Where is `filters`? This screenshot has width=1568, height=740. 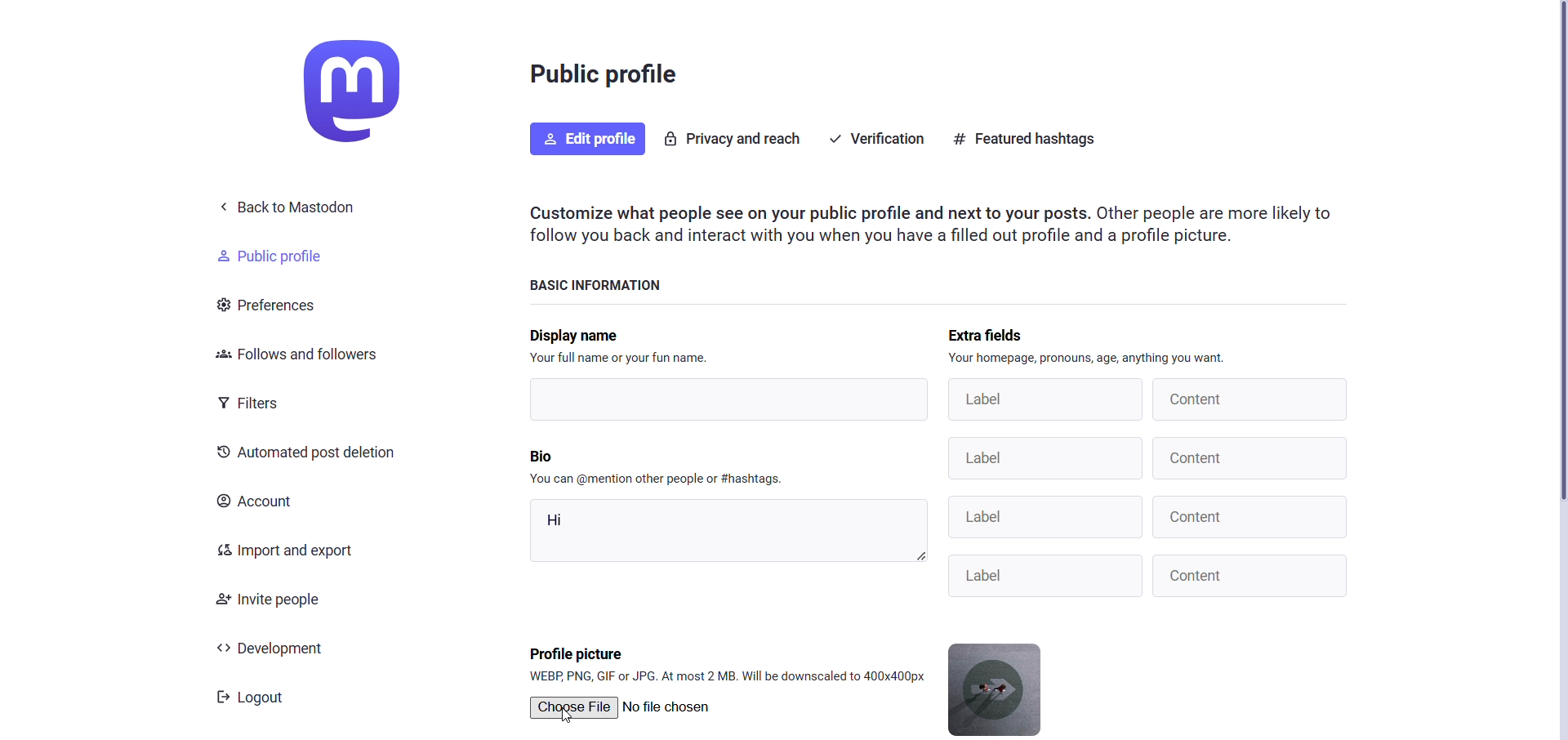
filters is located at coordinates (251, 407).